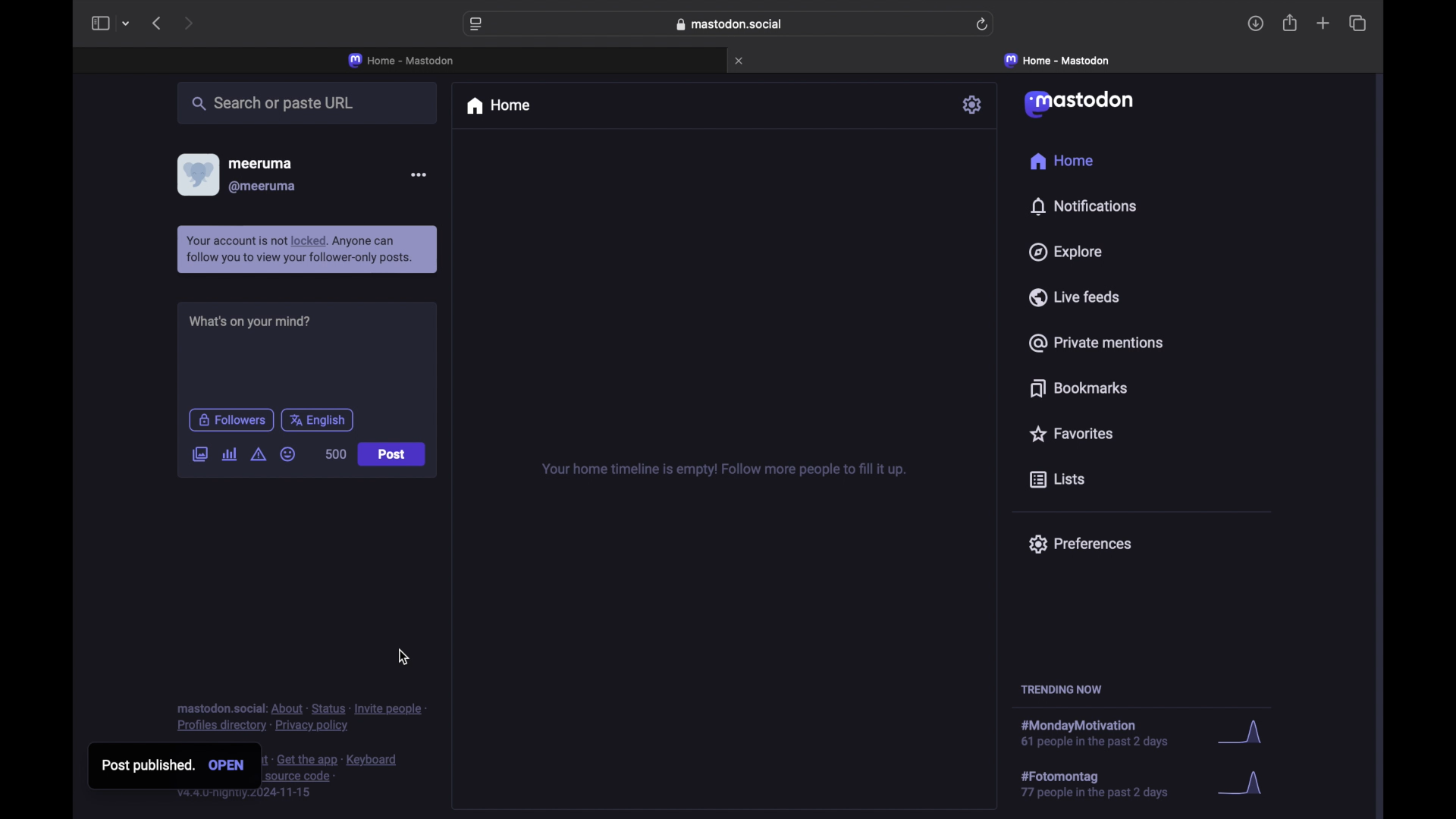  Describe the element at coordinates (500, 107) in the screenshot. I see `home` at that location.